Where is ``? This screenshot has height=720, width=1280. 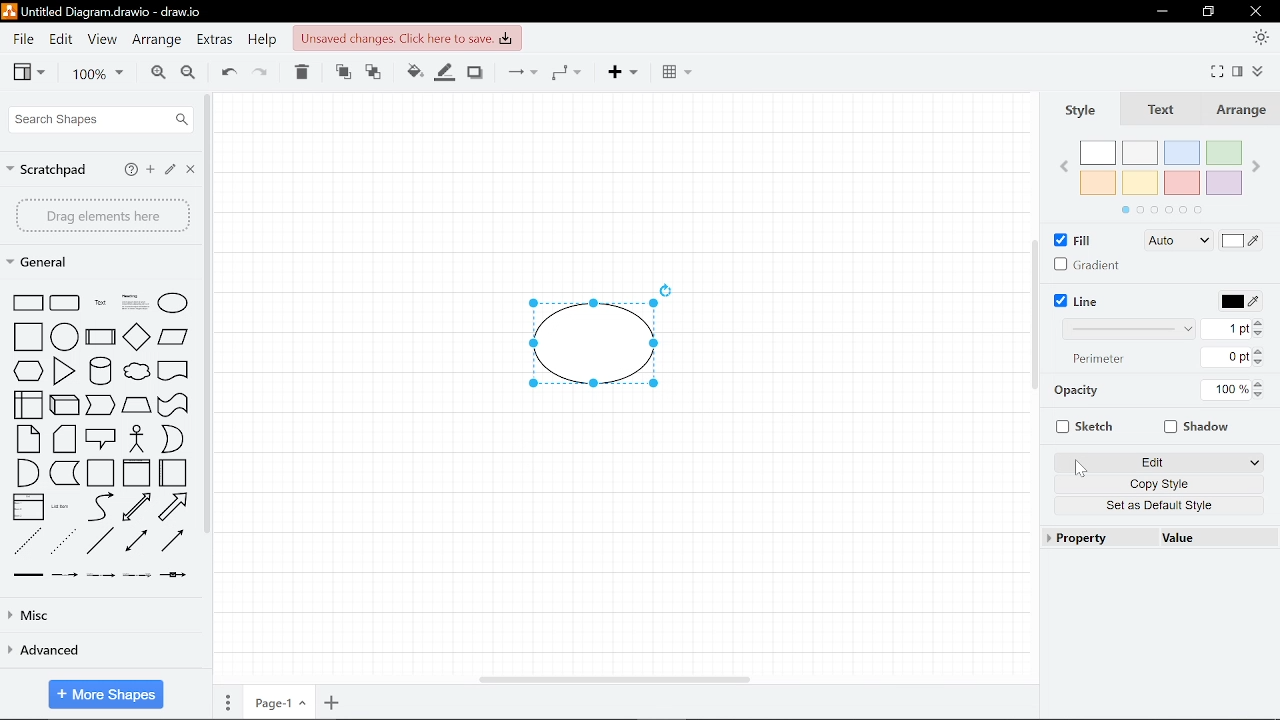
 is located at coordinates (1261, 323).